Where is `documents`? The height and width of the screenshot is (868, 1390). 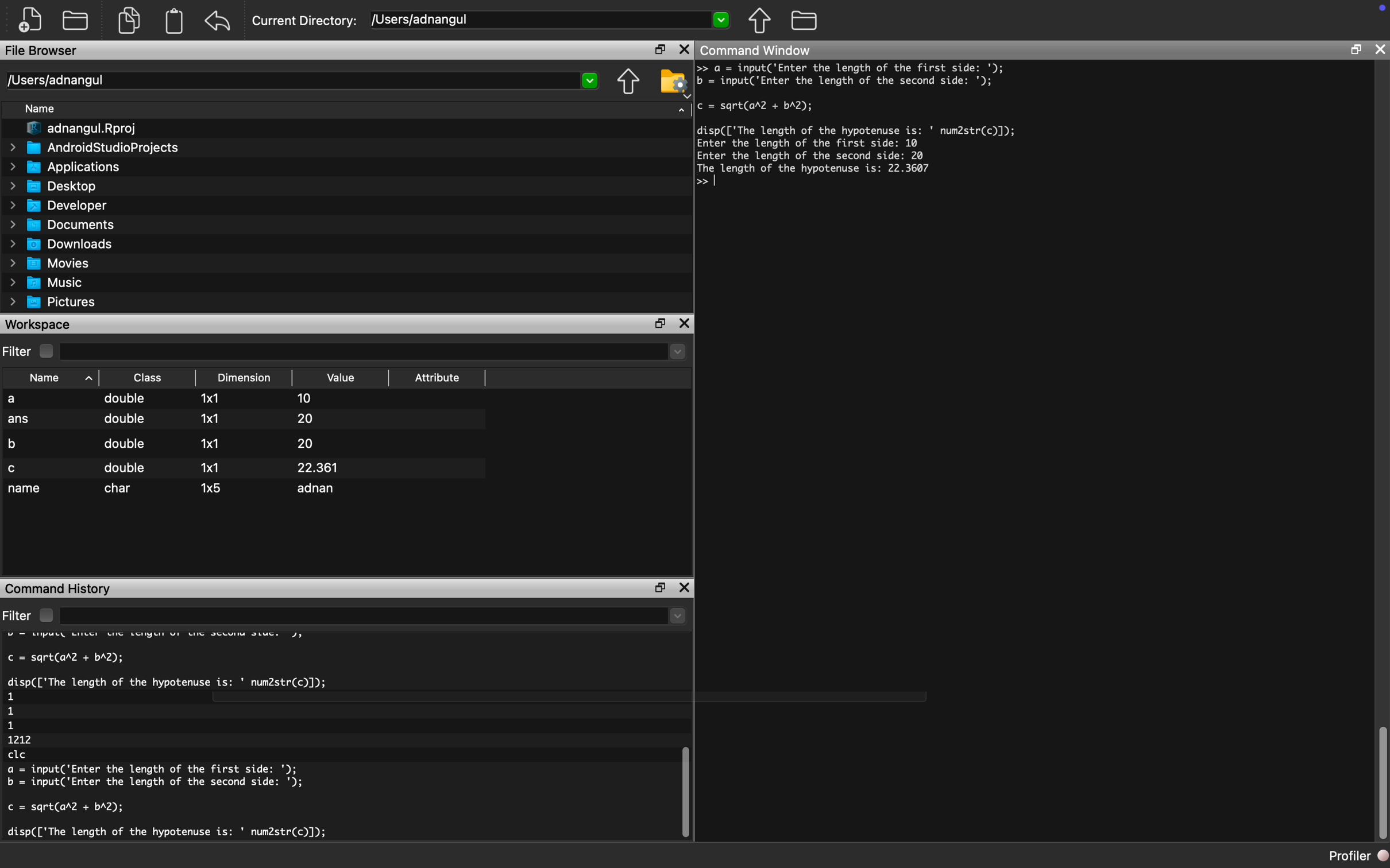 documents is located at coordinates (128, 19).